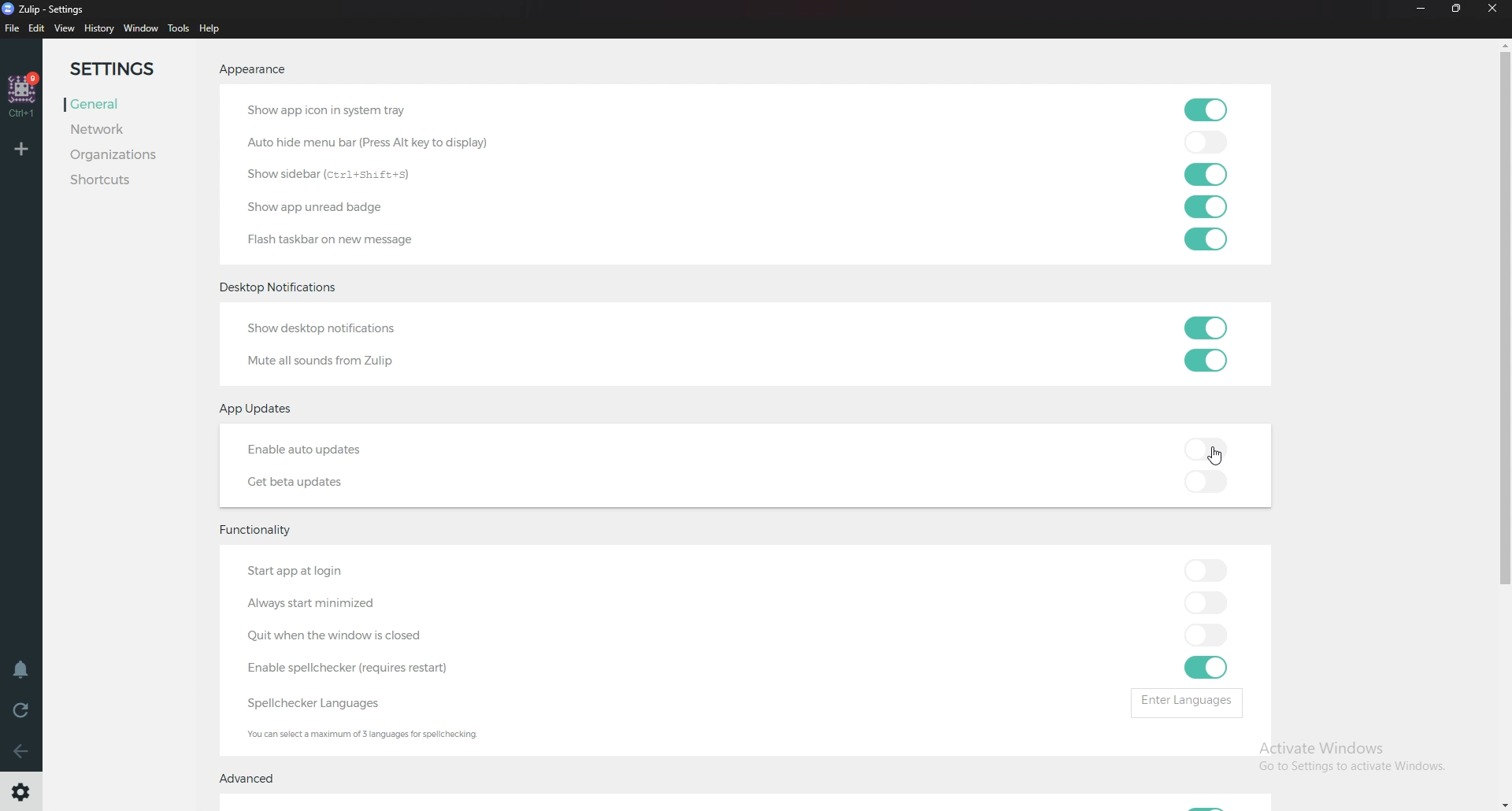 The height and width of the screenshot is (811, 1512). What do you see at coordinates (256, 782) in the screenshot?
I see `Advanced` at bounding box center [256, 782].